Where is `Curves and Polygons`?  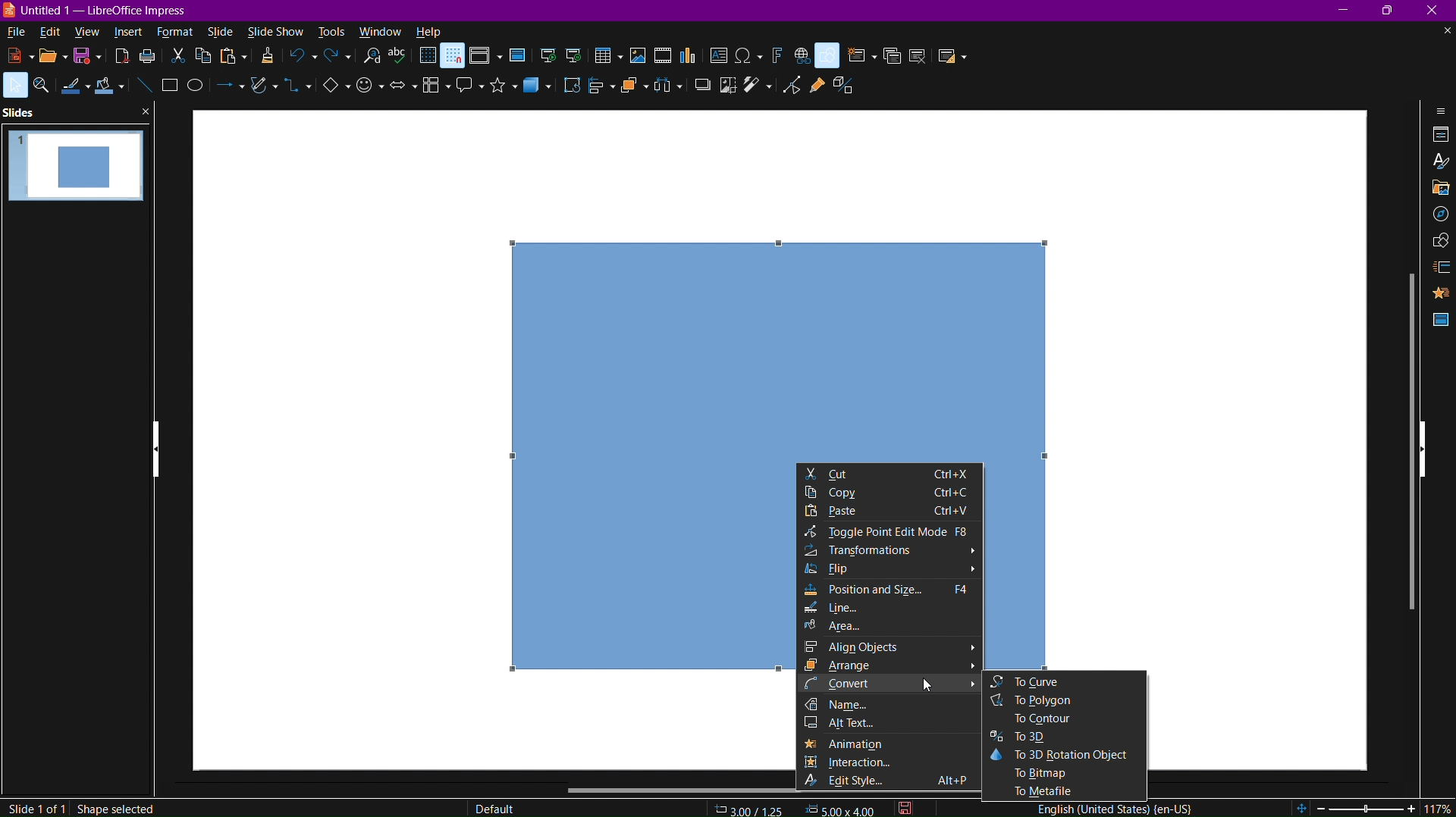
Curves and Polygons is located at coordinates (262, 92).